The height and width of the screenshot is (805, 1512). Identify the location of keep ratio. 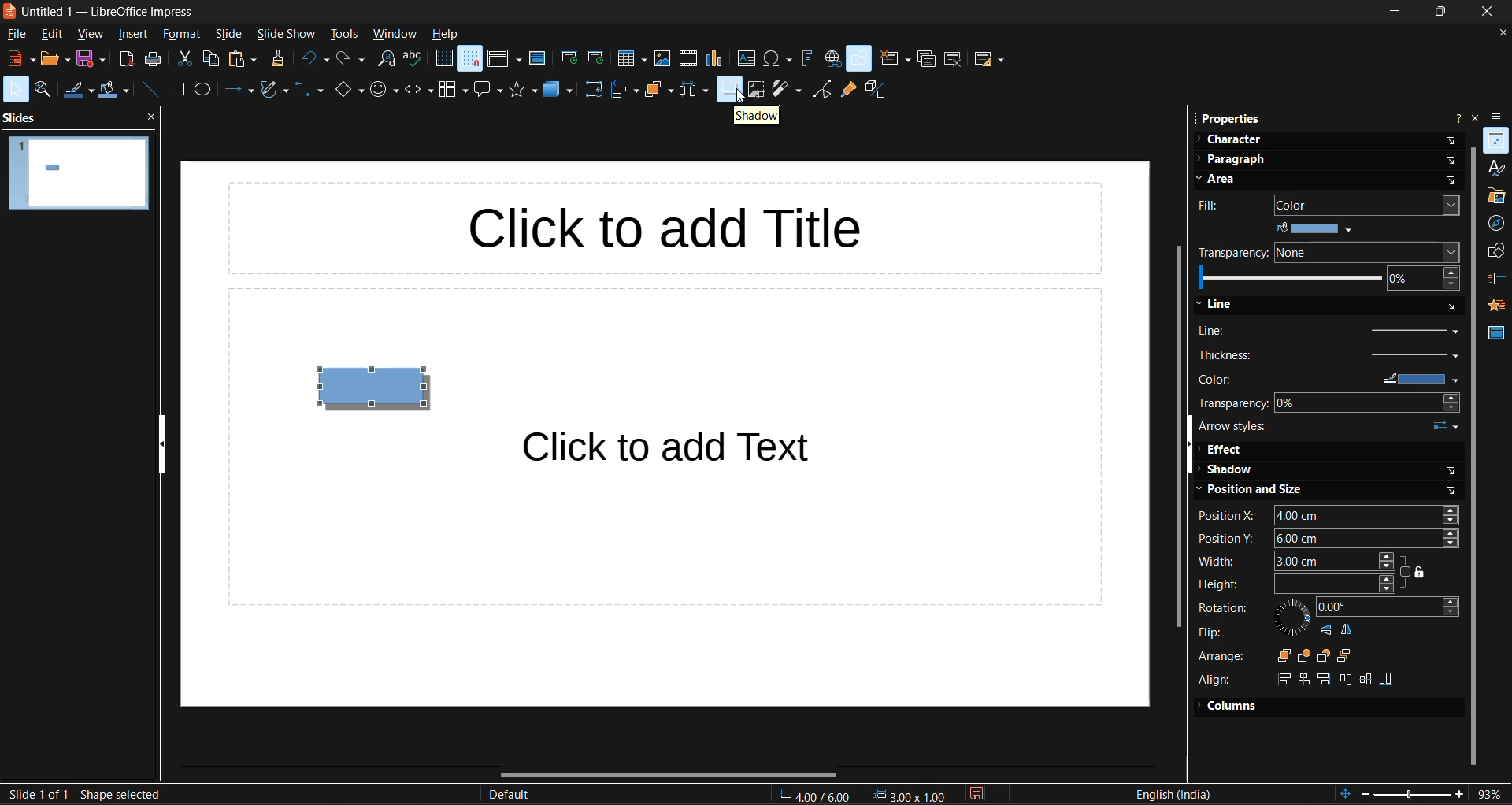
(1421, 574).